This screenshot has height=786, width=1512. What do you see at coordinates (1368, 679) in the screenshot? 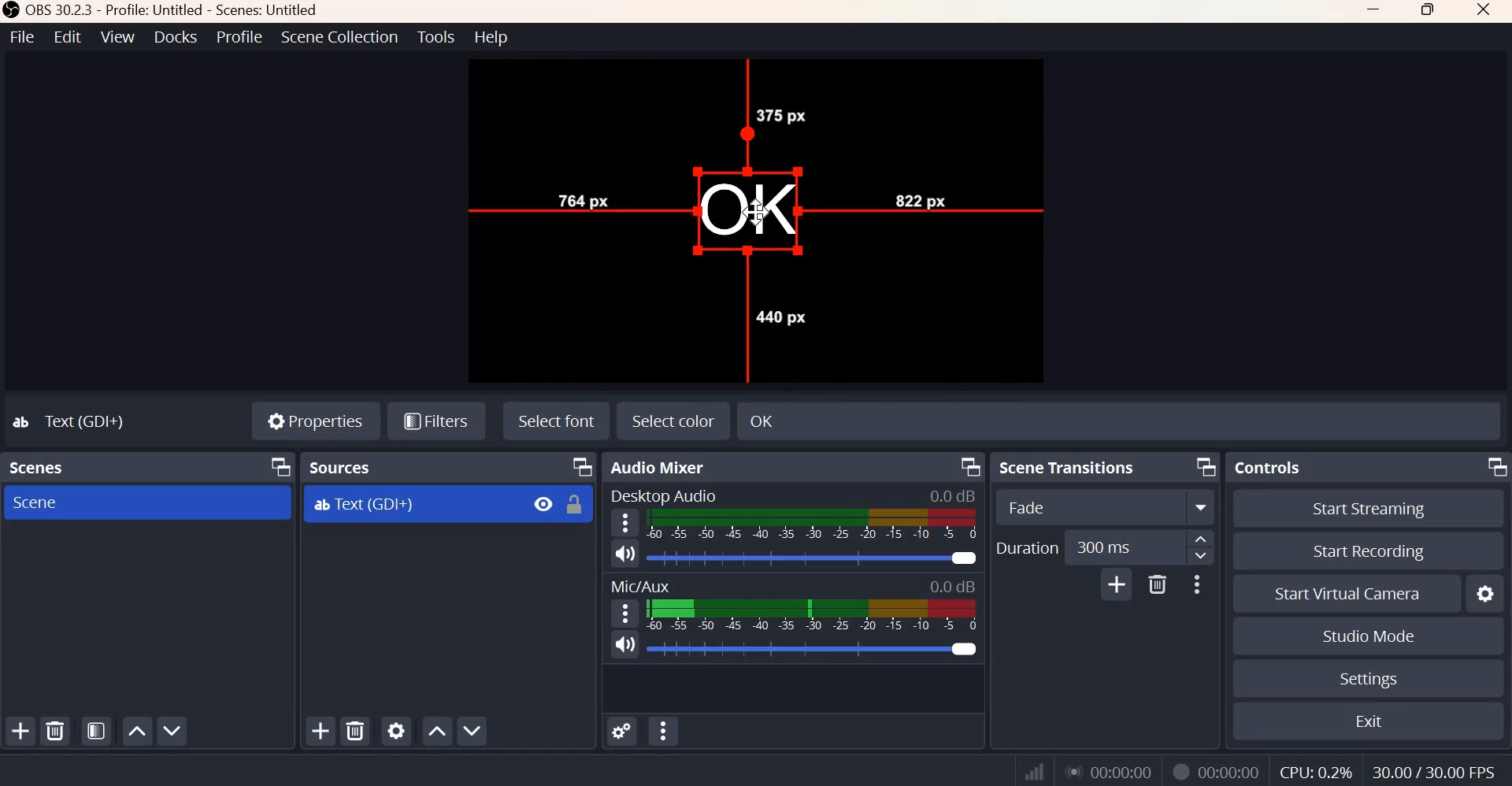
I see `Settings` at bounding box center [1368, 679].